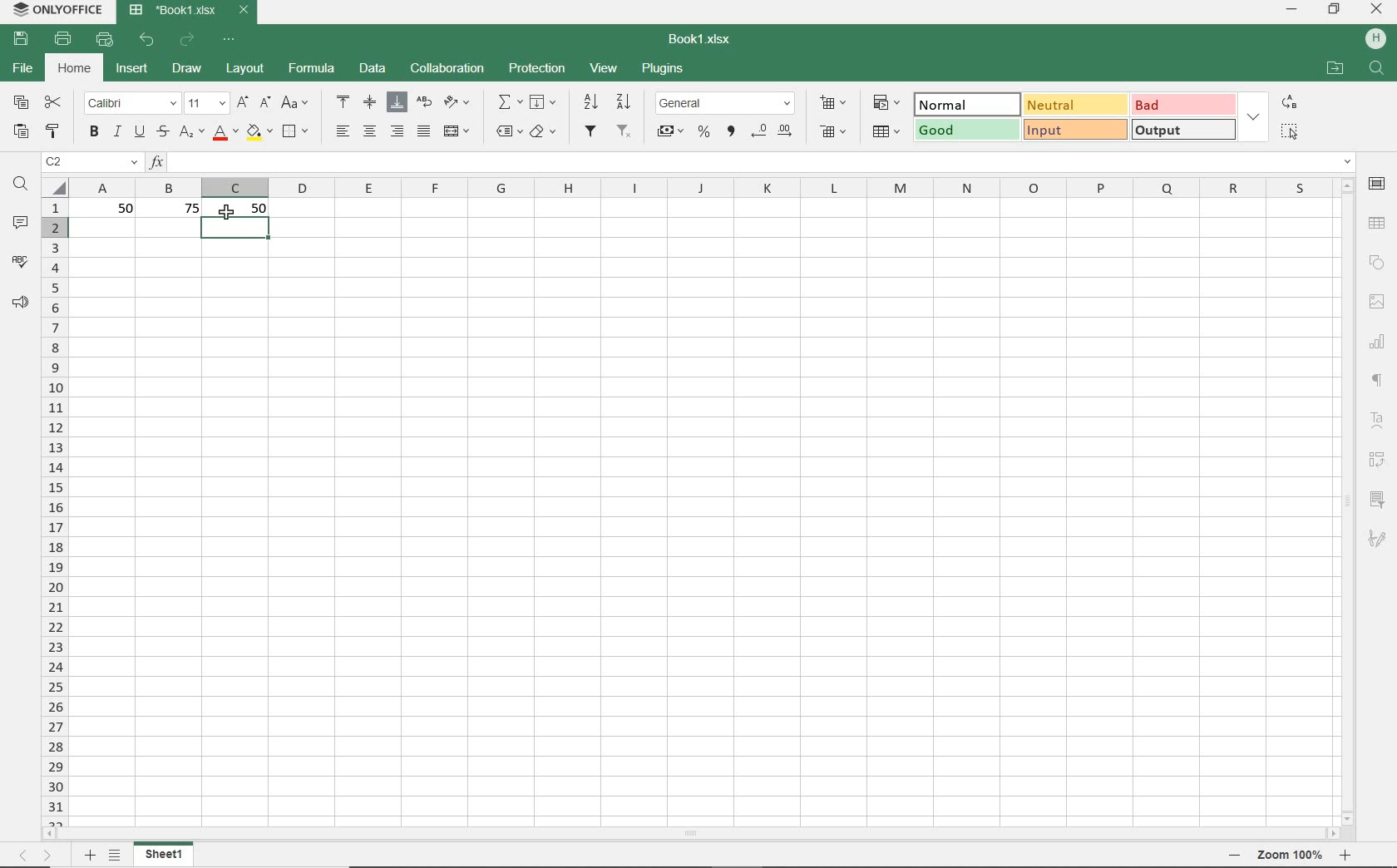  What do you see at coordinates (708, 187) in the screenshot?
I see `column` at bounding box center [708, 187].